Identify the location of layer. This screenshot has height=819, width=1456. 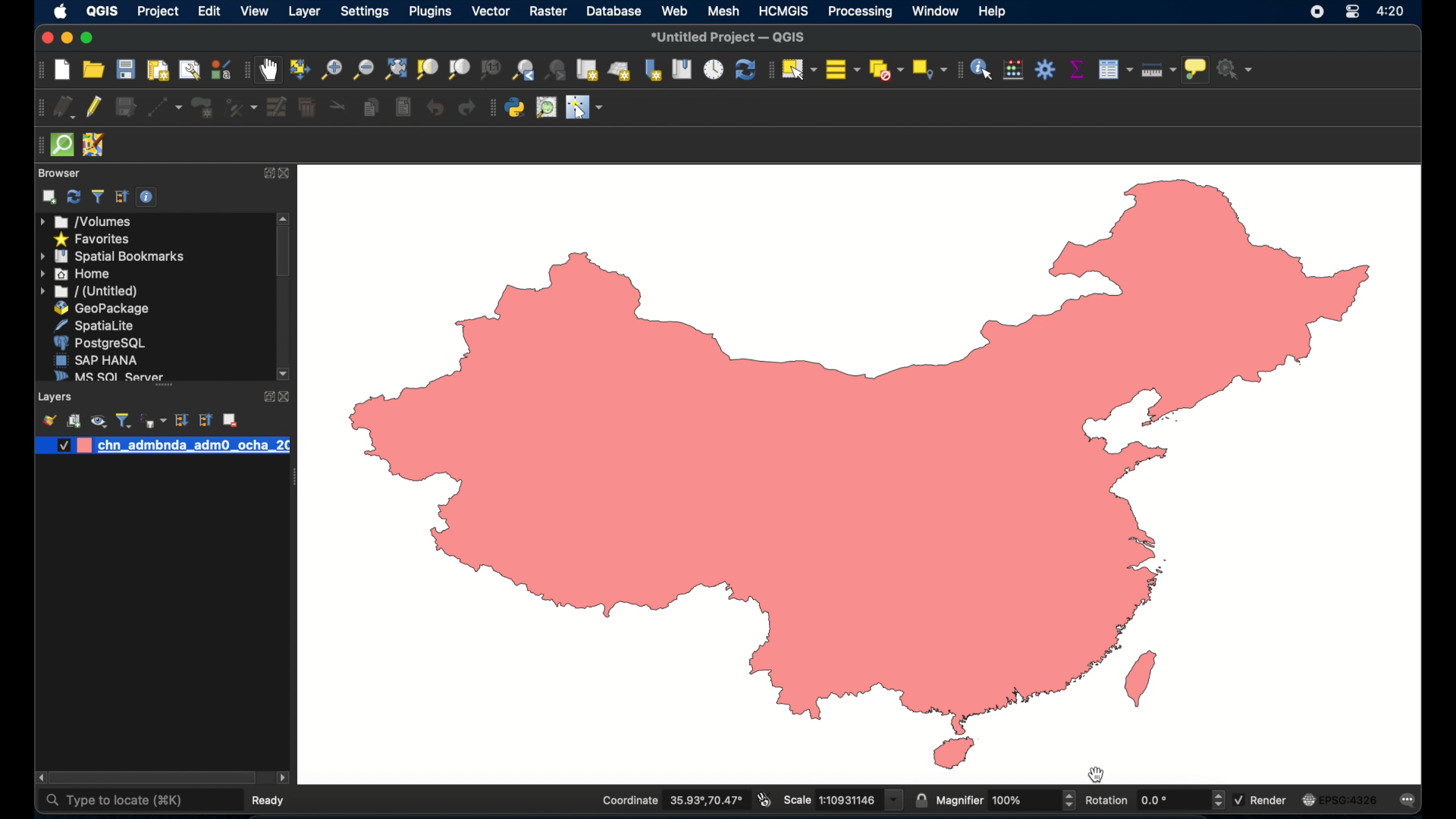
(306, 13).